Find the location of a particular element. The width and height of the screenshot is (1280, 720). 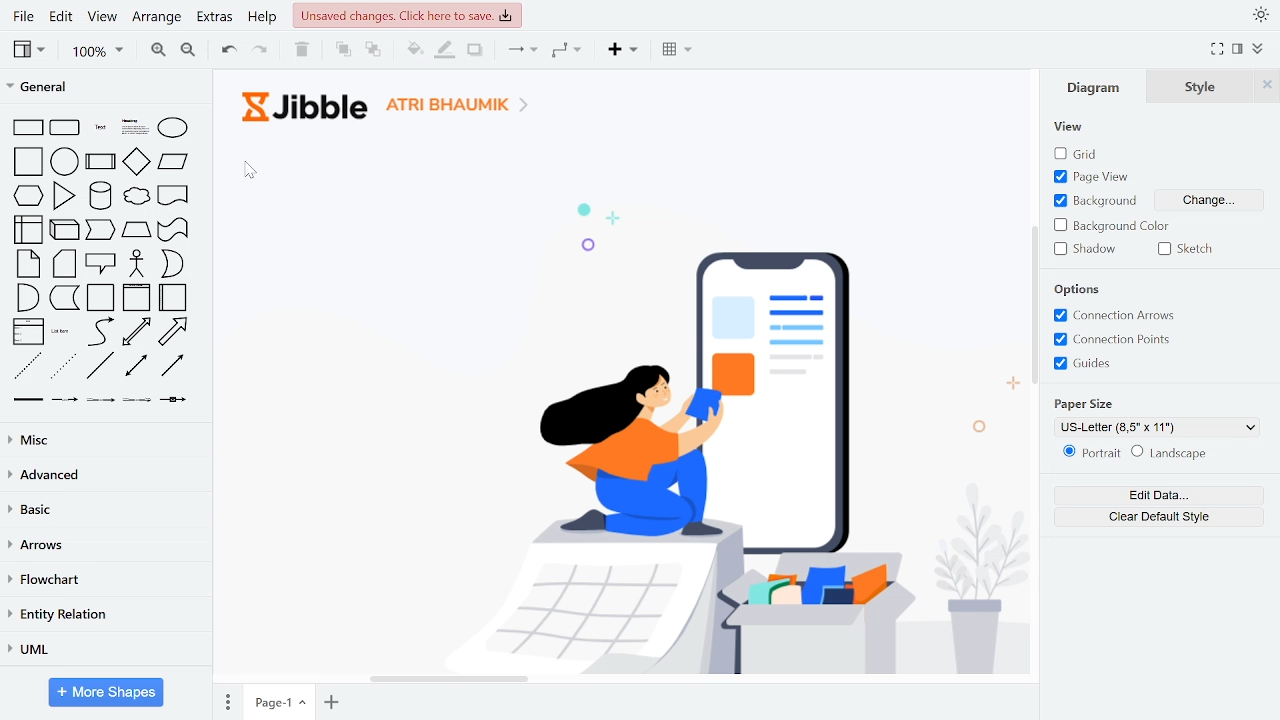

collapse is located at coordinates (1258, 49).